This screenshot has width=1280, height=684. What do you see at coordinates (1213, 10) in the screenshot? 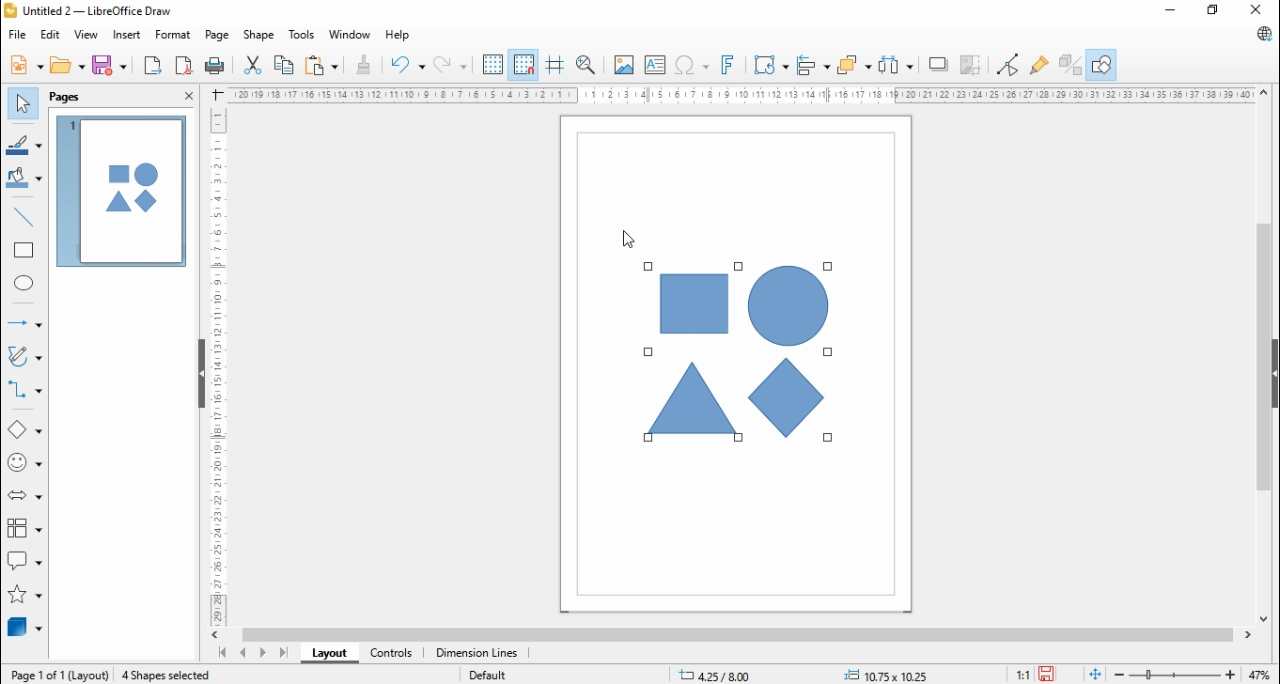
I see `restore` at bounding box center [1213, 10].